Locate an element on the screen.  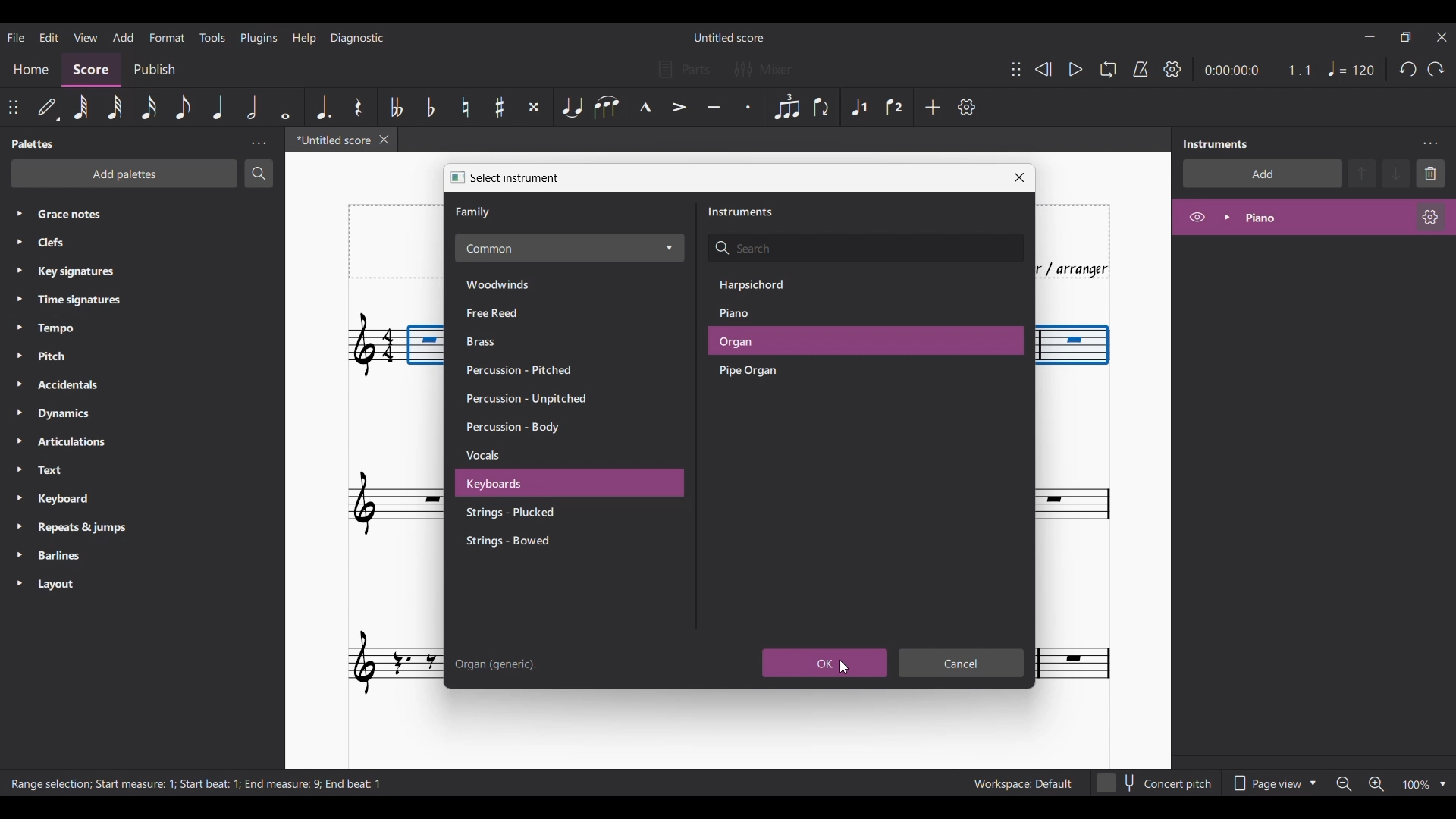
Format menu is located at coordinates (167, 36).